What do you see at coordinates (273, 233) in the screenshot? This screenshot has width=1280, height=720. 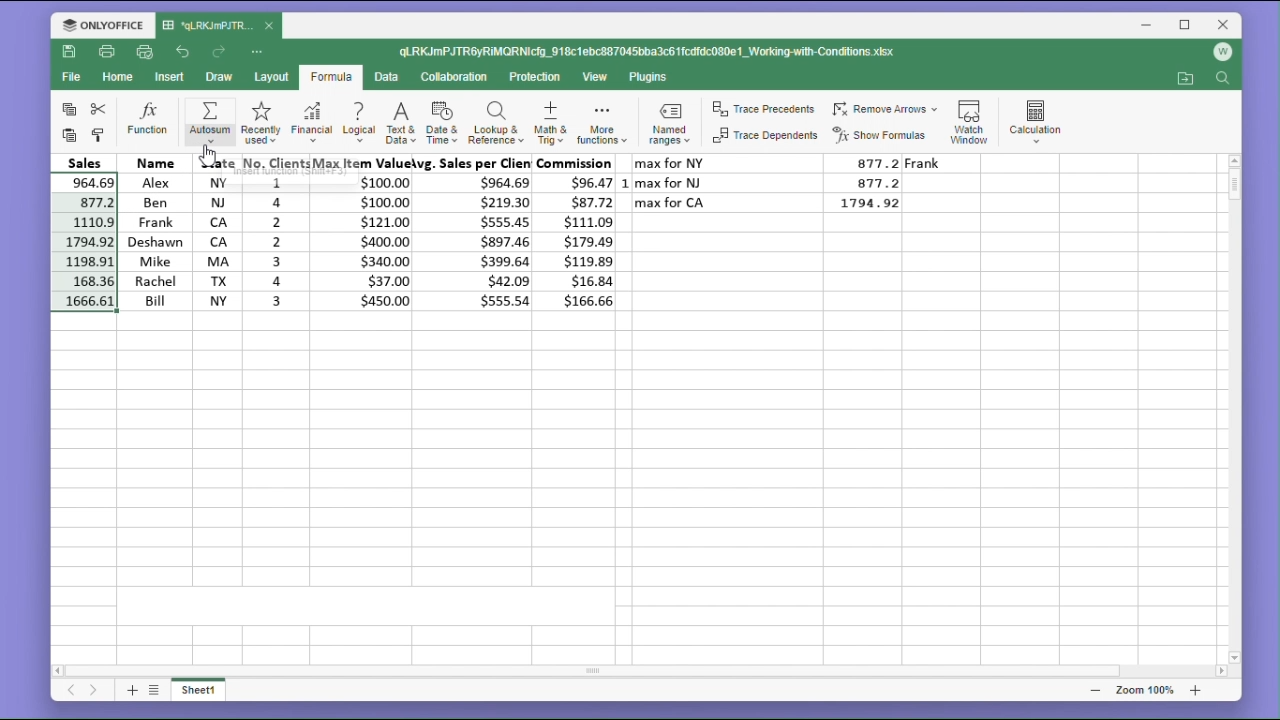 I see `no. of clients` at bounding box center [273, 233].